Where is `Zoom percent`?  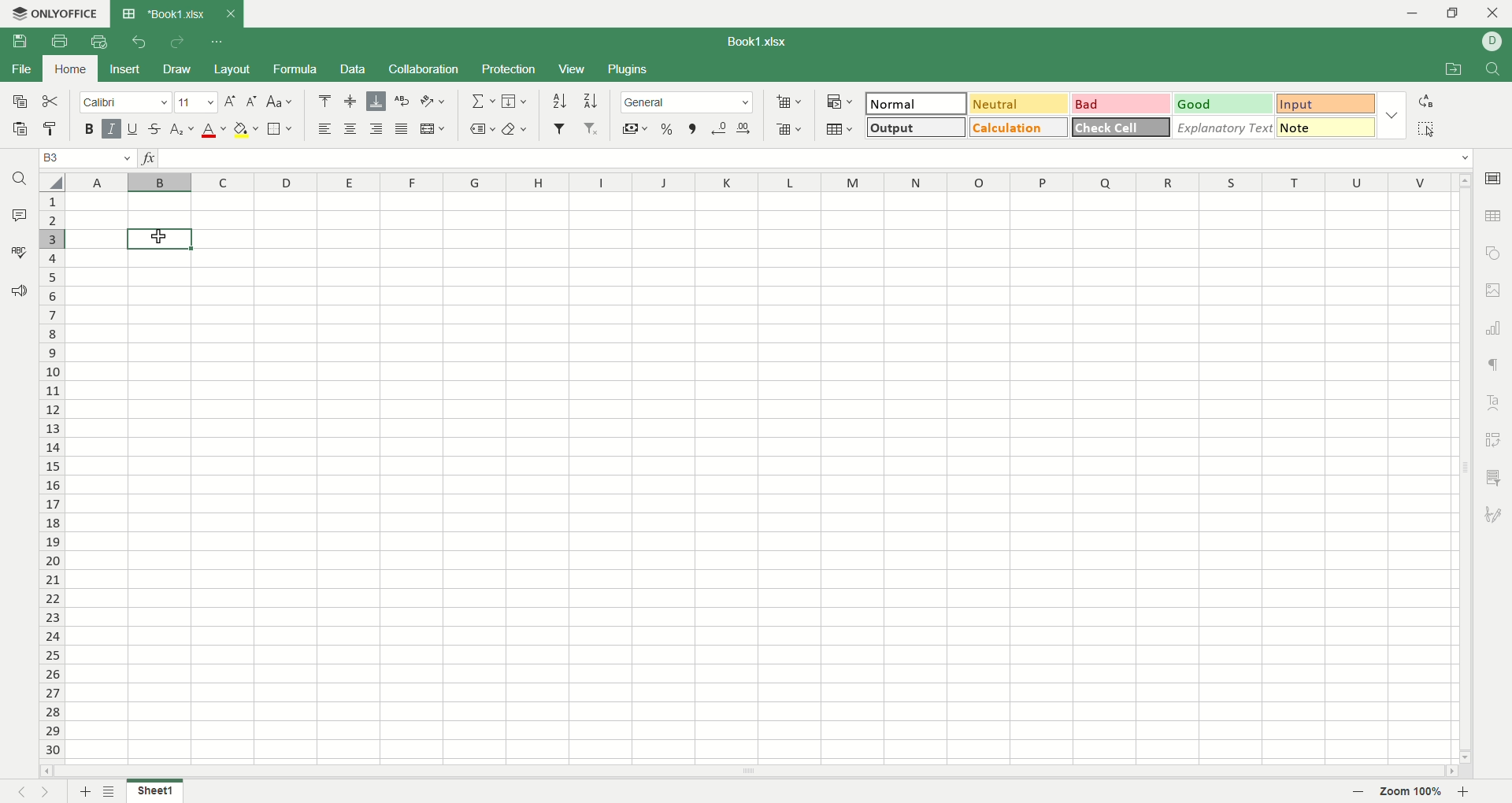
Zoom percent is located at coordinates (1411, 793).